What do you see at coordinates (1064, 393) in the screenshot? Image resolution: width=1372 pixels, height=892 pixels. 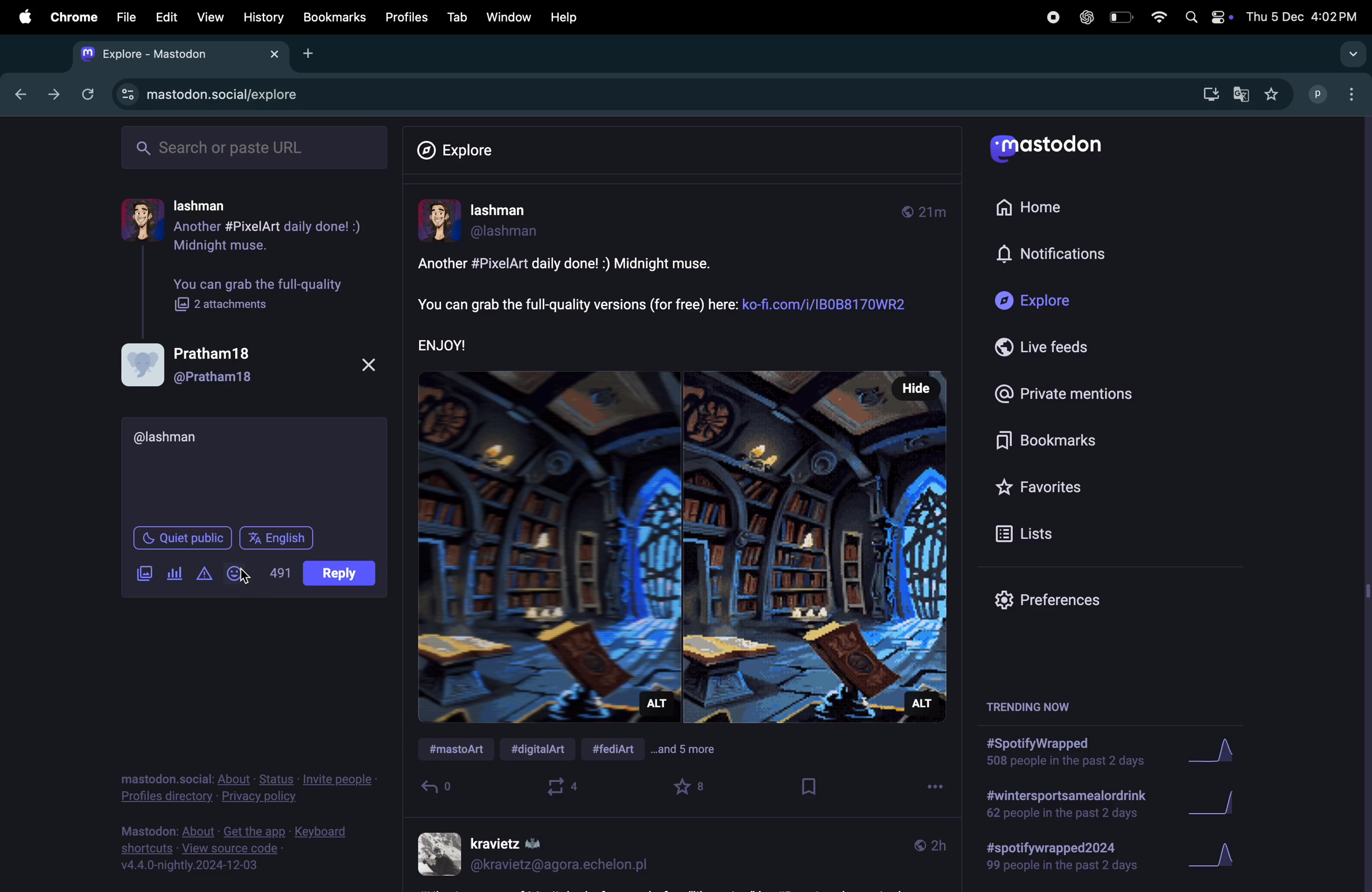 I see `Private mentions` at bounding box center [1064, 393].